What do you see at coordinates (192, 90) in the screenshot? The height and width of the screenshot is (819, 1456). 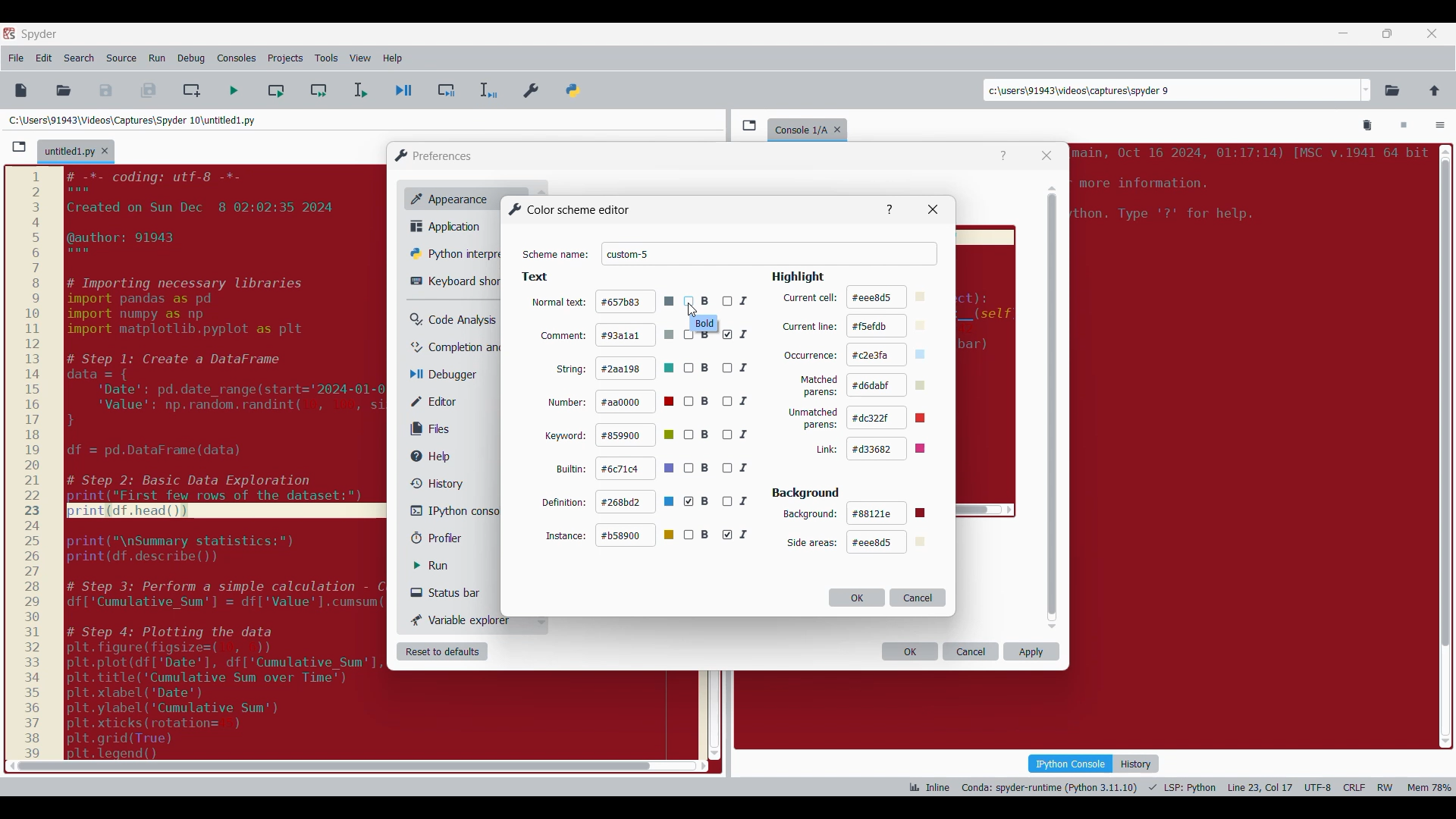 I see `Create new cell at current line` at bounding box center [192, 90].